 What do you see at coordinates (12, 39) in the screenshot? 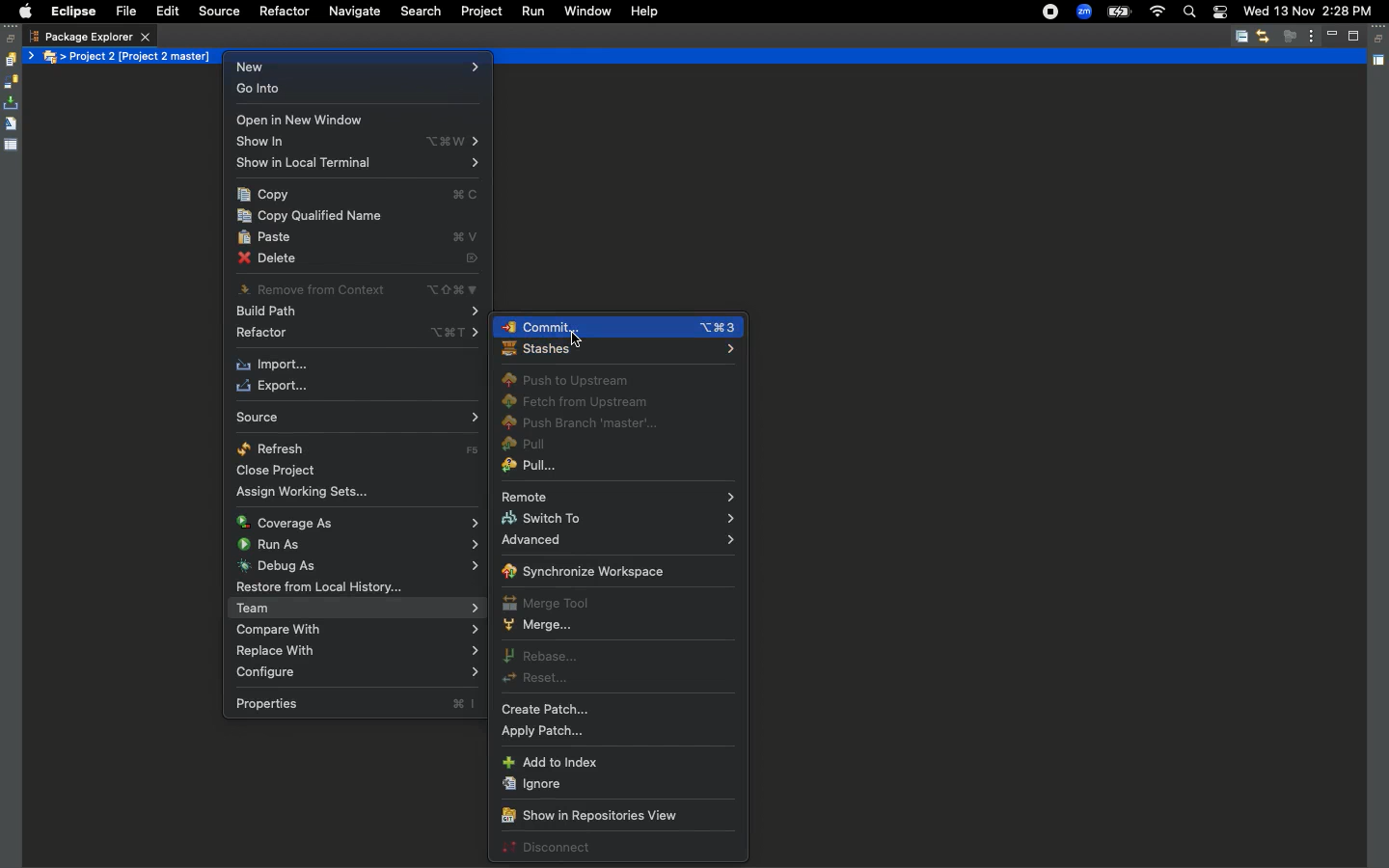
I see `Restore` at bounding box center [12, 39].